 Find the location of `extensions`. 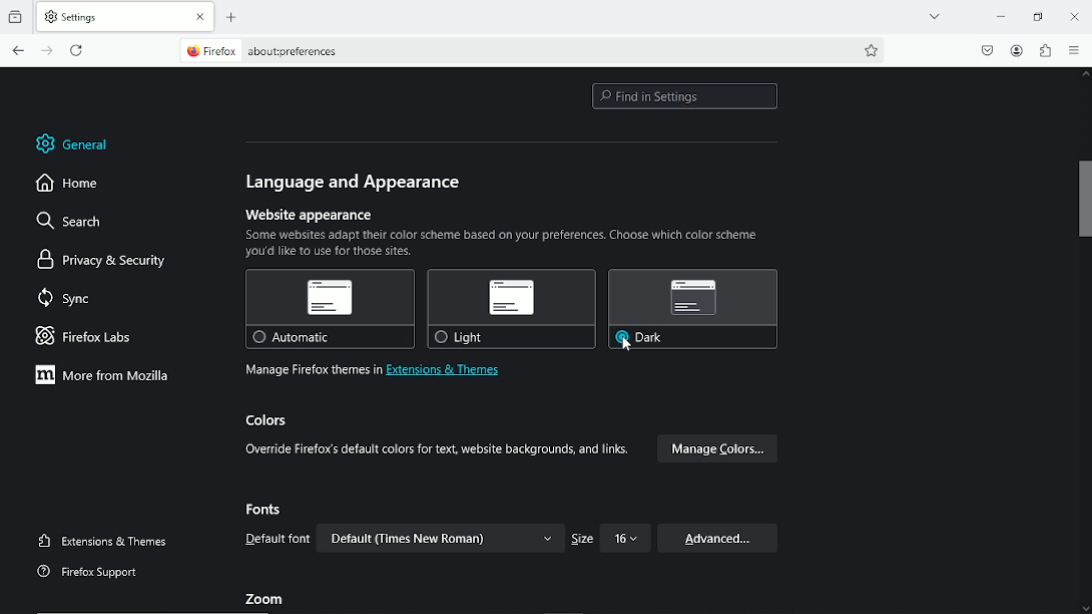

extensions is located at coordinates (1045, 51).